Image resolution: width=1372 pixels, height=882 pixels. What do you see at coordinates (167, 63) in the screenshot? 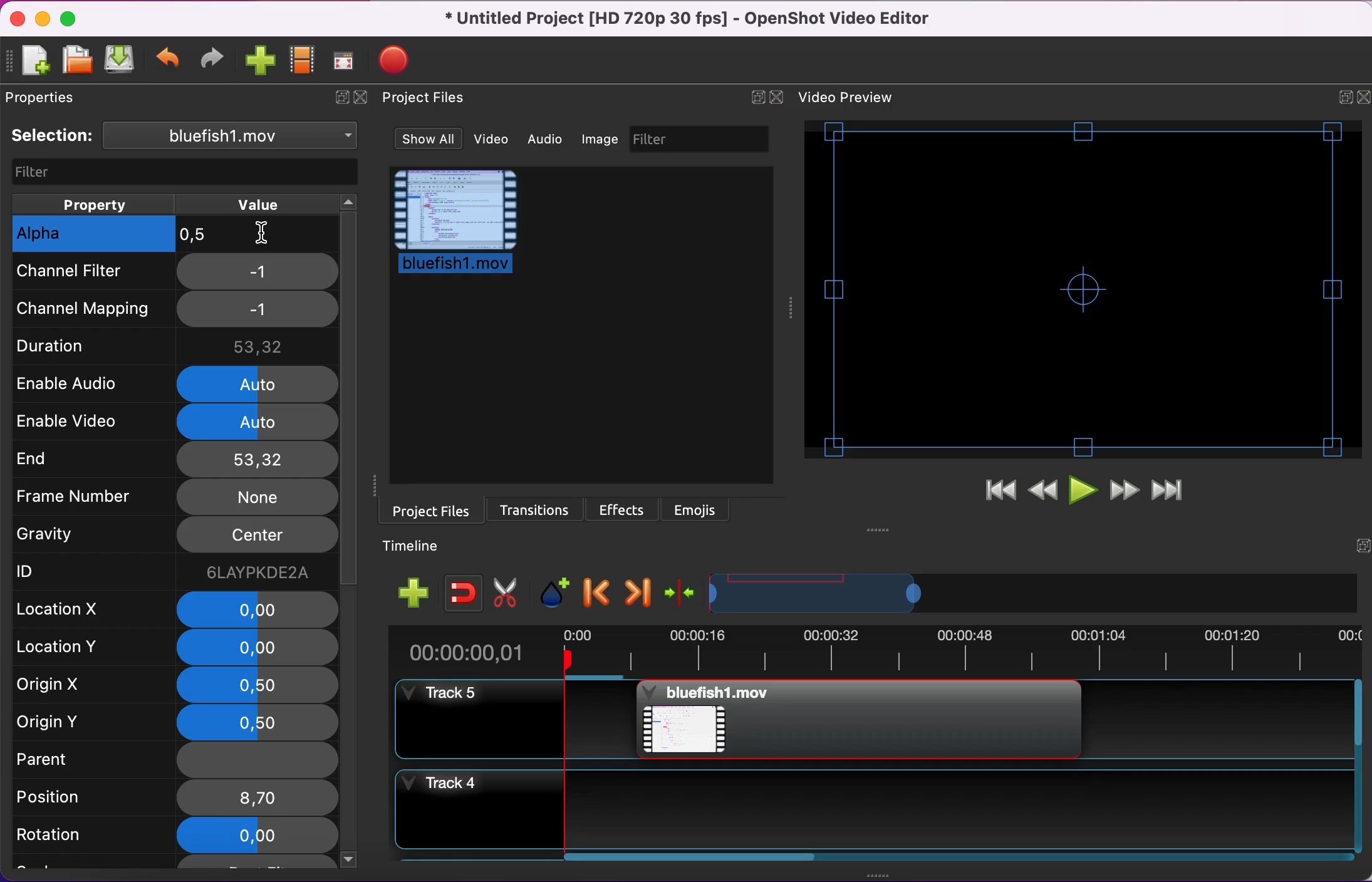
I see `undo` at bounding box center [167, 63].